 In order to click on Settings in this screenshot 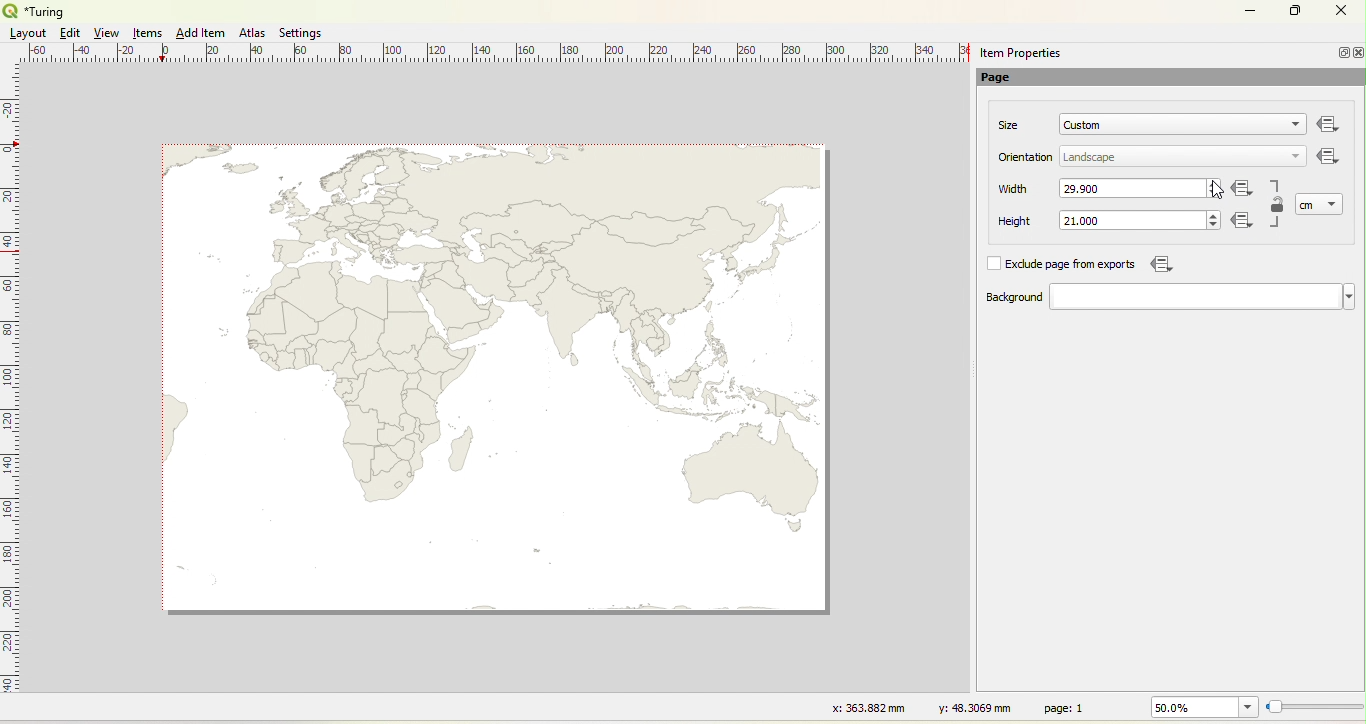, I will do `click(302, 33)`.